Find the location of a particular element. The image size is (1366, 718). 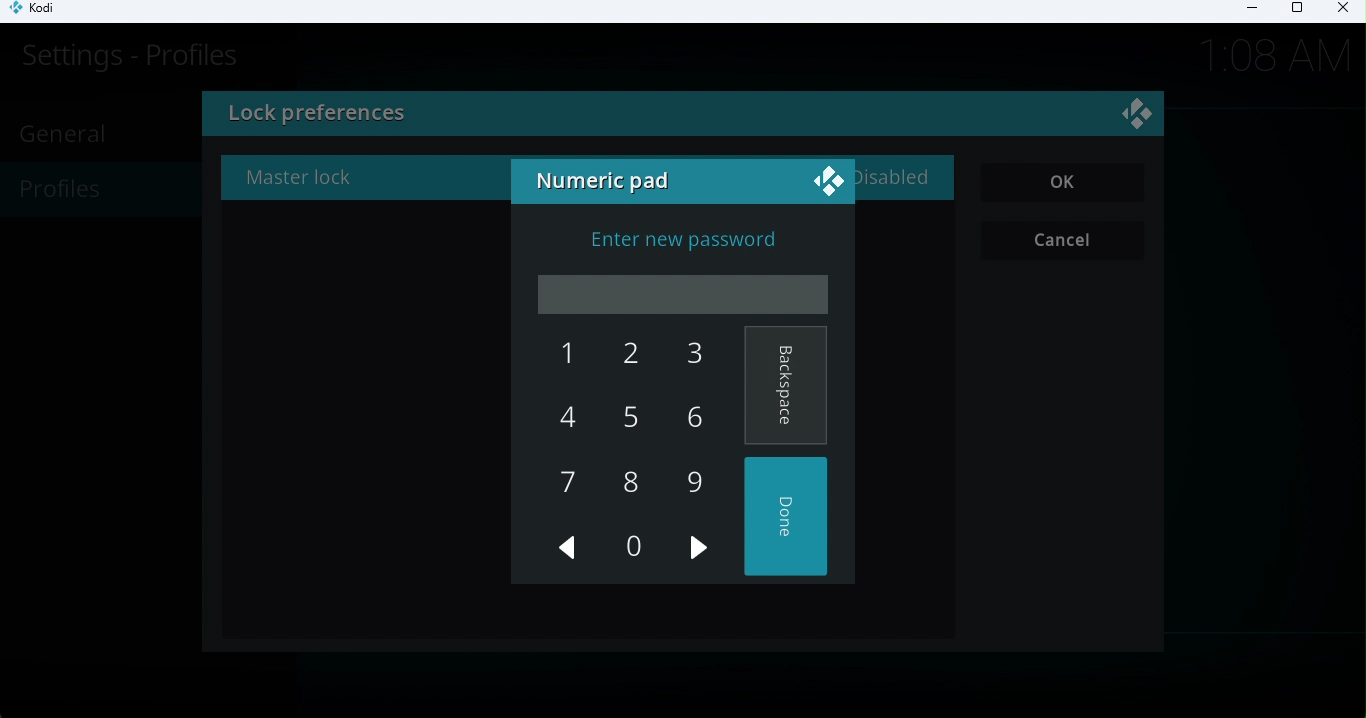

6 is located at coordinates (689, 416).